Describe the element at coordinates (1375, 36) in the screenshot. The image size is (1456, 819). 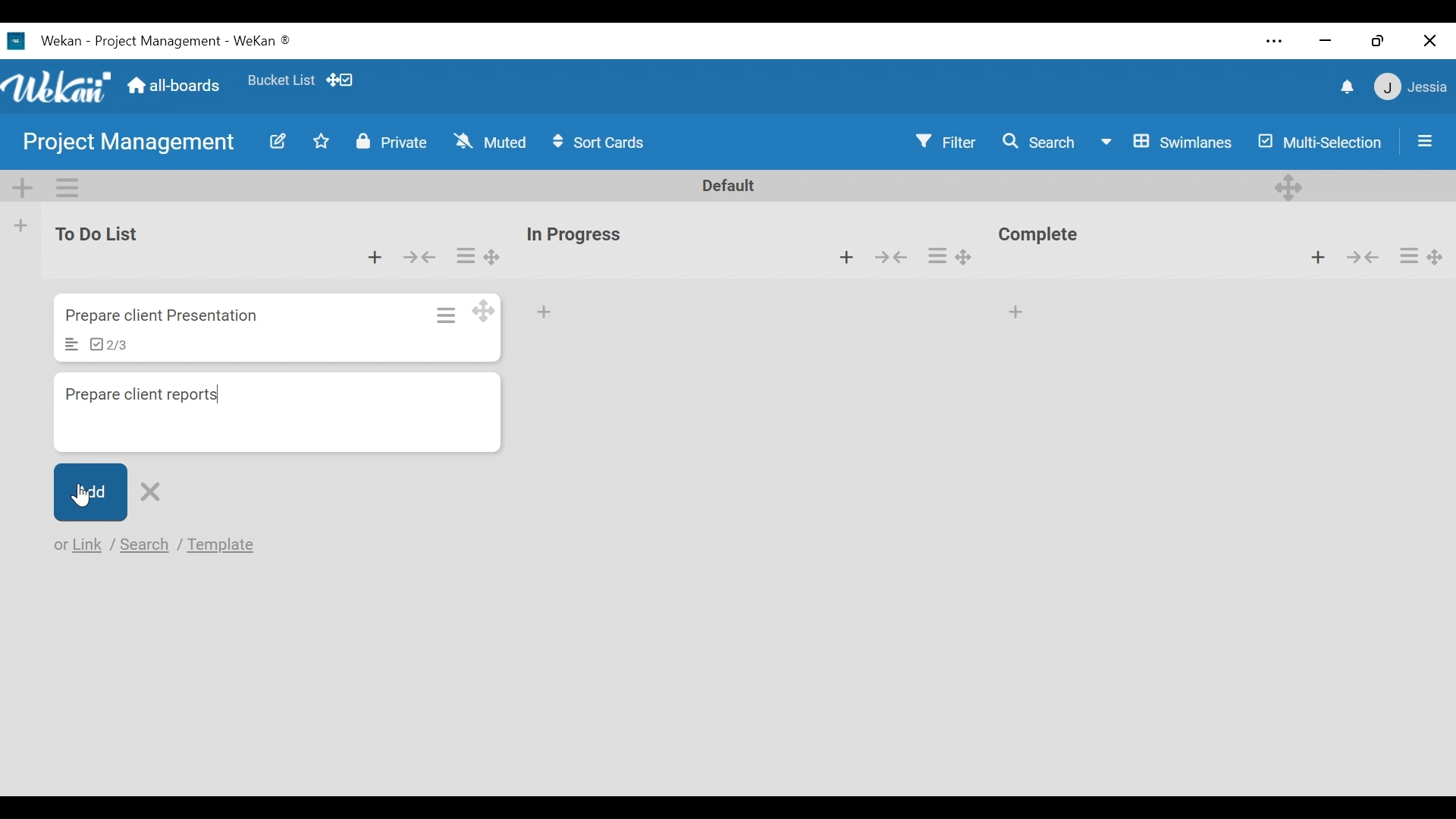
I see `Restore` at that location.